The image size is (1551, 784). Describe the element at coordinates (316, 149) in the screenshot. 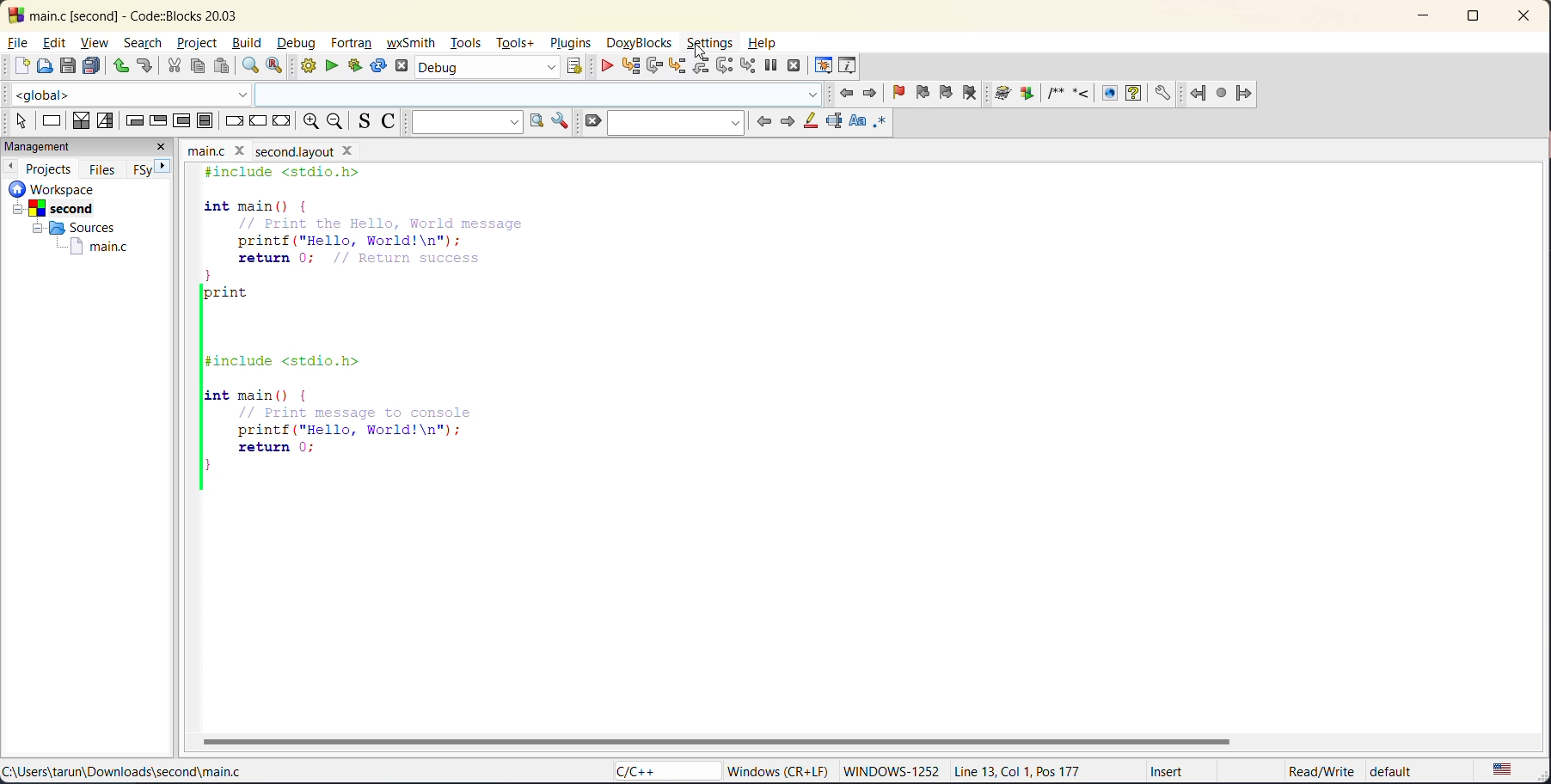

I see `Second layout` at that location.